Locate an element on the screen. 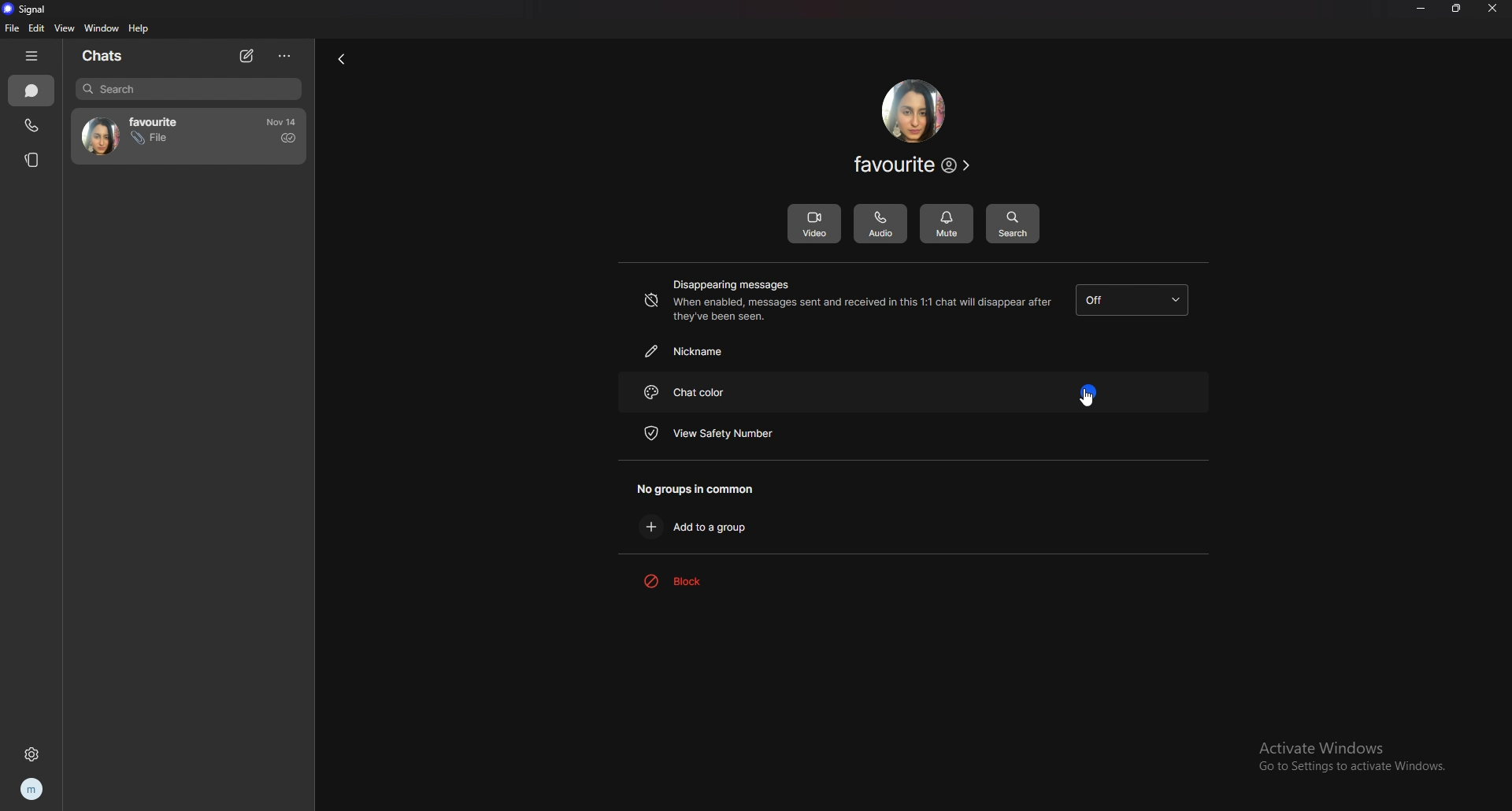 The width and height of the screenshot is (1512, 811). block is located at coordinates (691, 581).